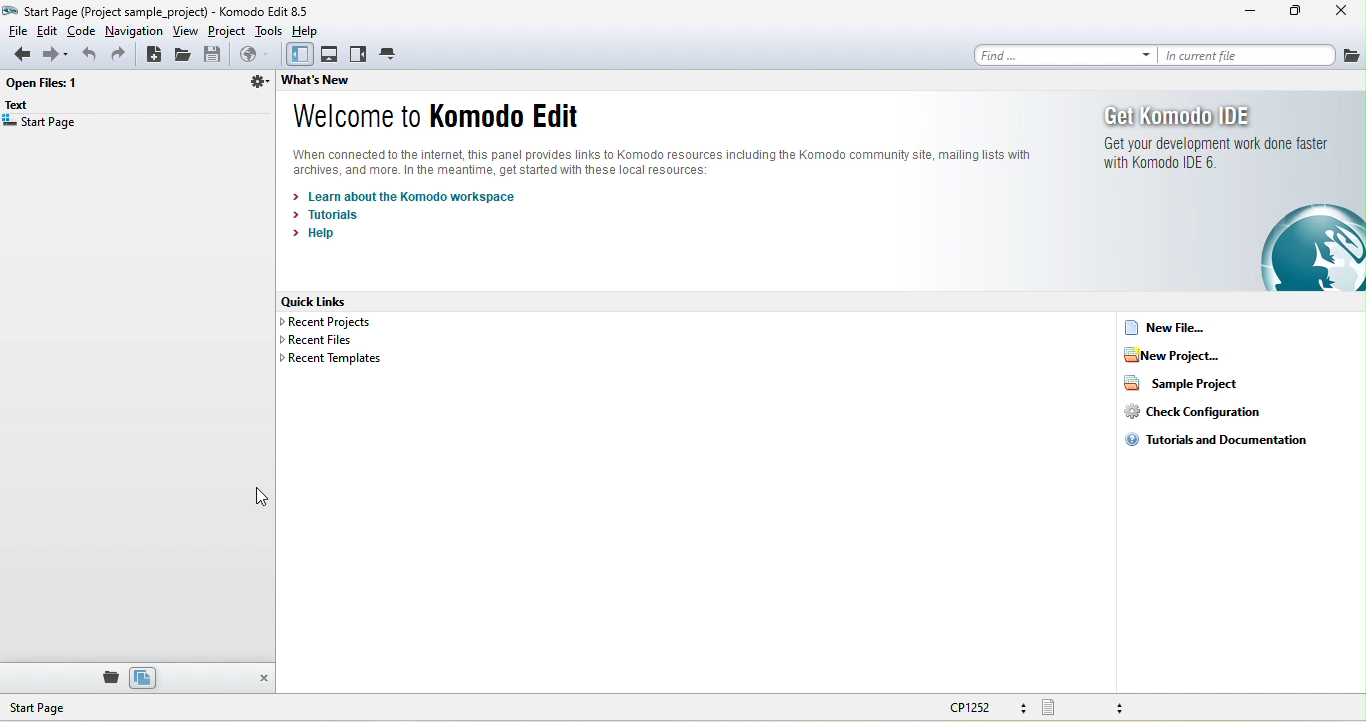 The image size is (1366, 722). I want to click on start page, so click(41, 125).